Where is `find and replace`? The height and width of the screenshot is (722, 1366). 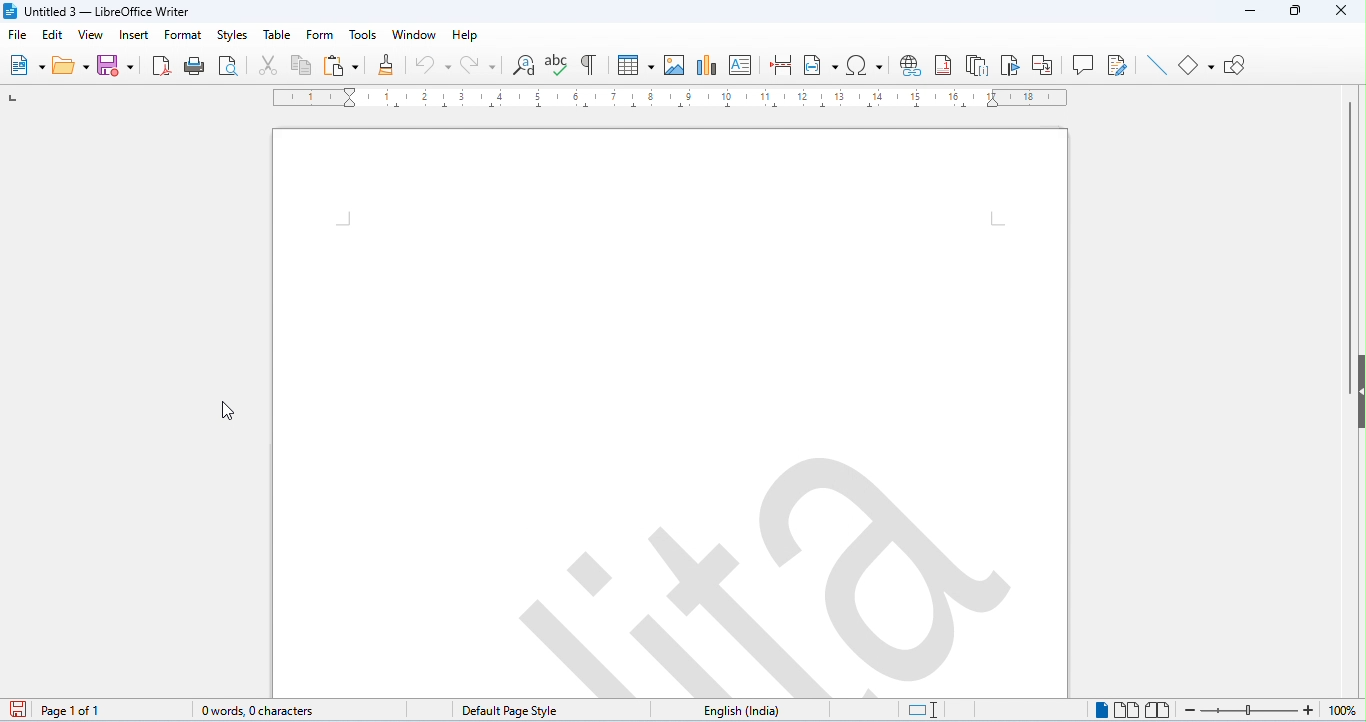
find and replace is located at coordinates (526, 66).